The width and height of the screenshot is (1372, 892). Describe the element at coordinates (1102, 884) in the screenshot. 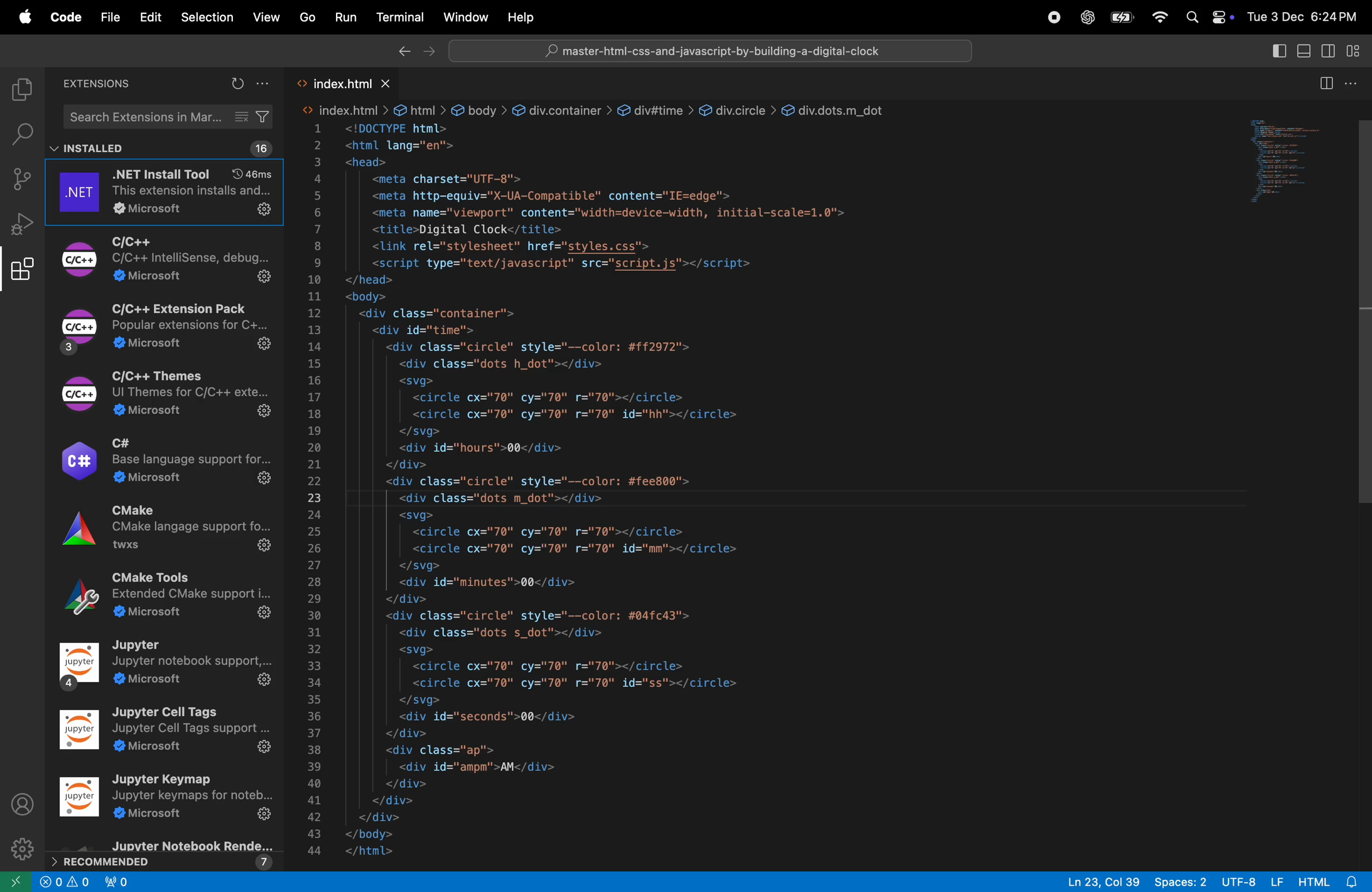

I see `ln 23 col 39` at that location.